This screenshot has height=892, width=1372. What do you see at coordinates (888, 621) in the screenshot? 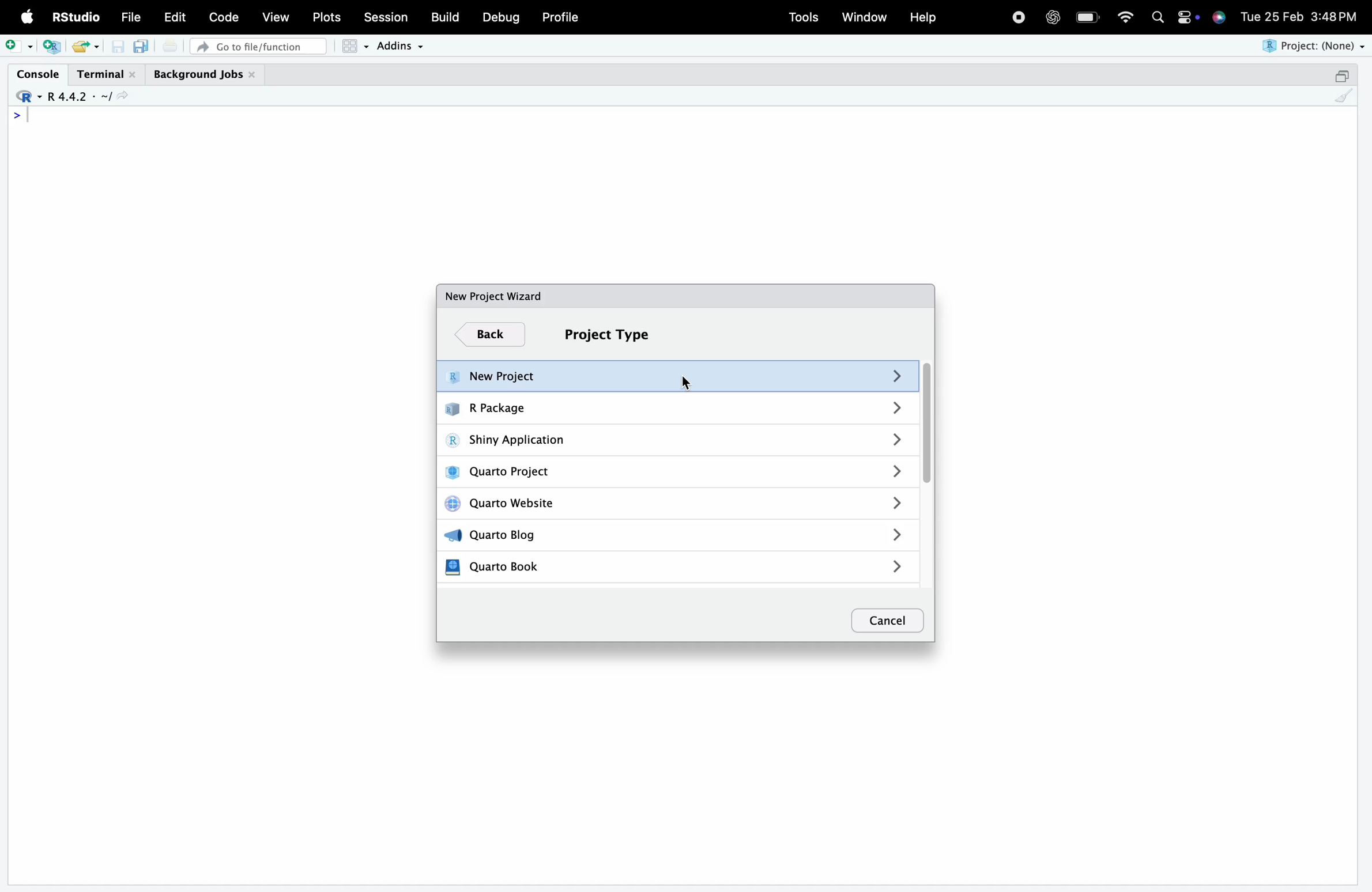
I see `Cancel` at bounding box center [888, 621].